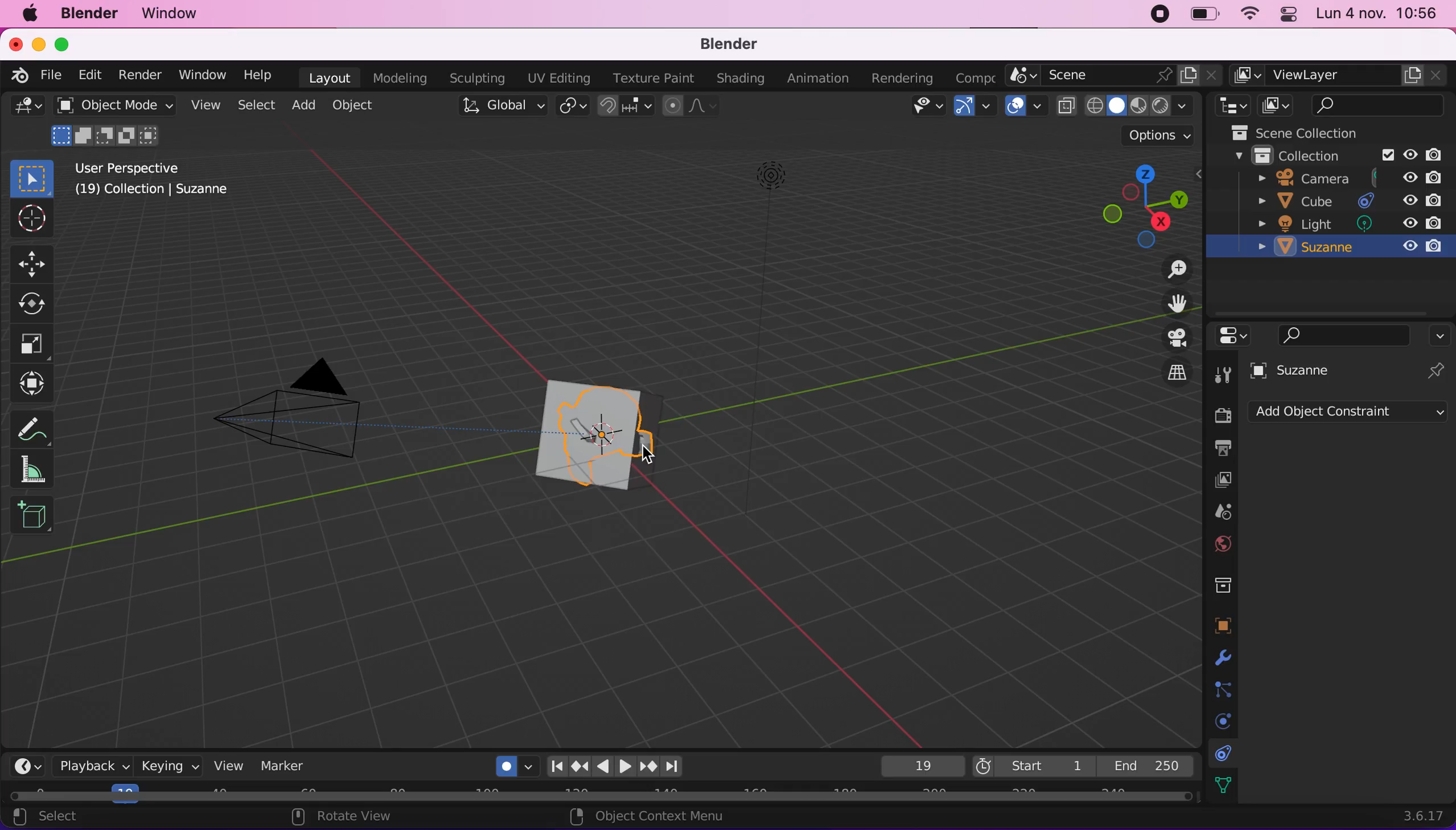  I want to click on proportional editing objects, so click(689, 107).